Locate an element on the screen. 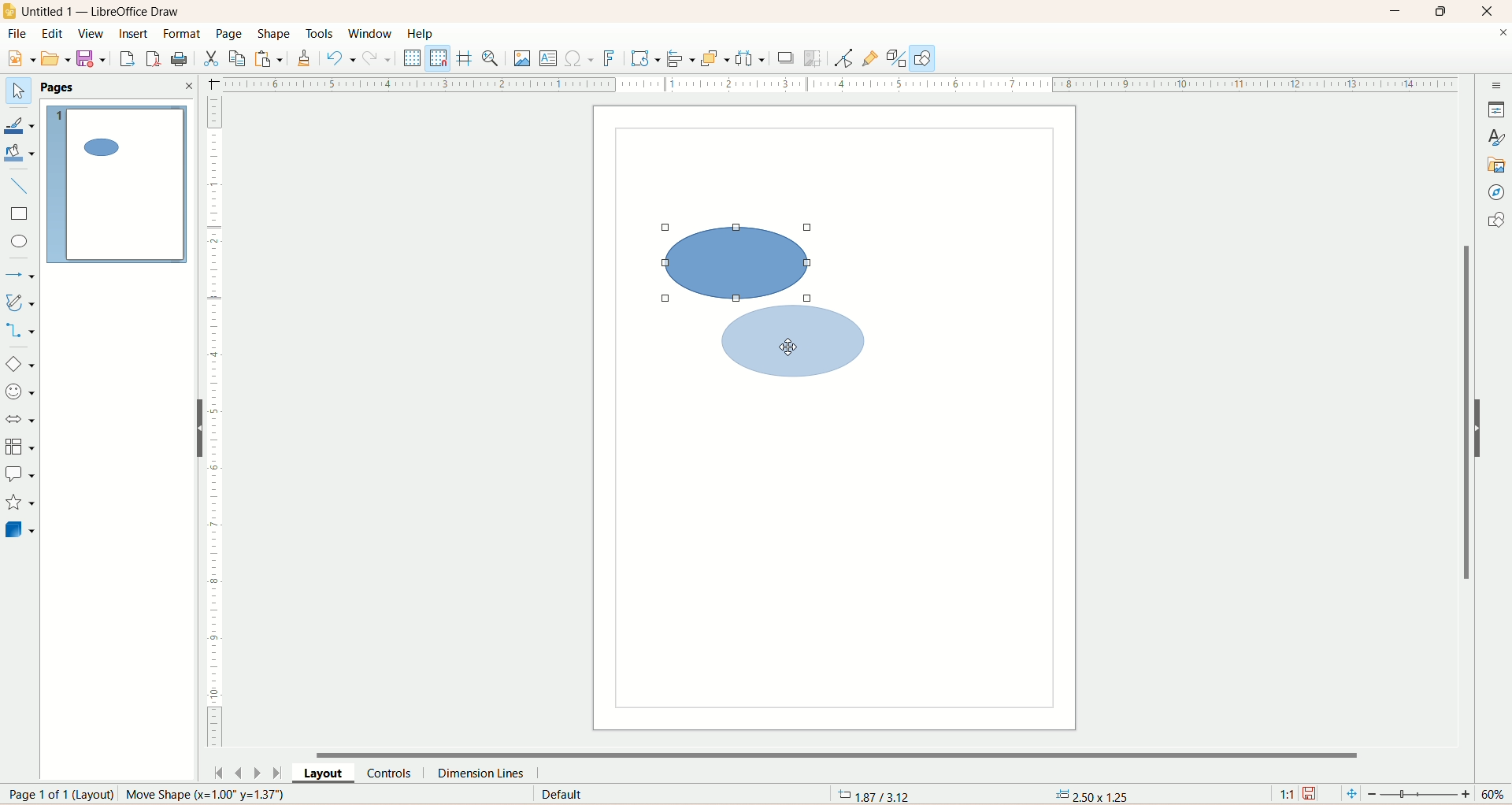 This screenshot has height=805, width=1512. new is located at coordinates (23, 59).